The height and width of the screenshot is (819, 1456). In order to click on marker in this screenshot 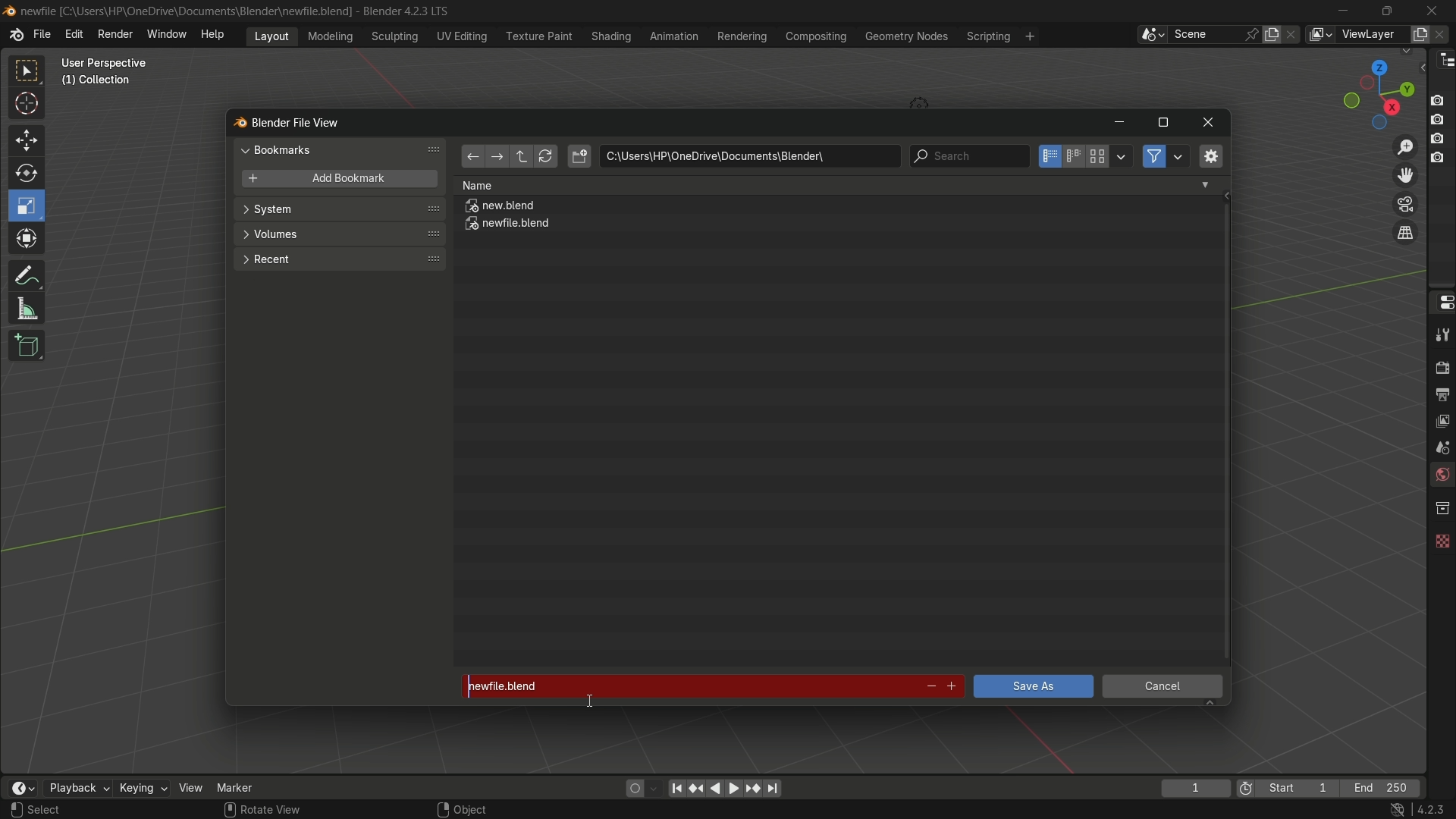, I will do `click(246, 786)`.